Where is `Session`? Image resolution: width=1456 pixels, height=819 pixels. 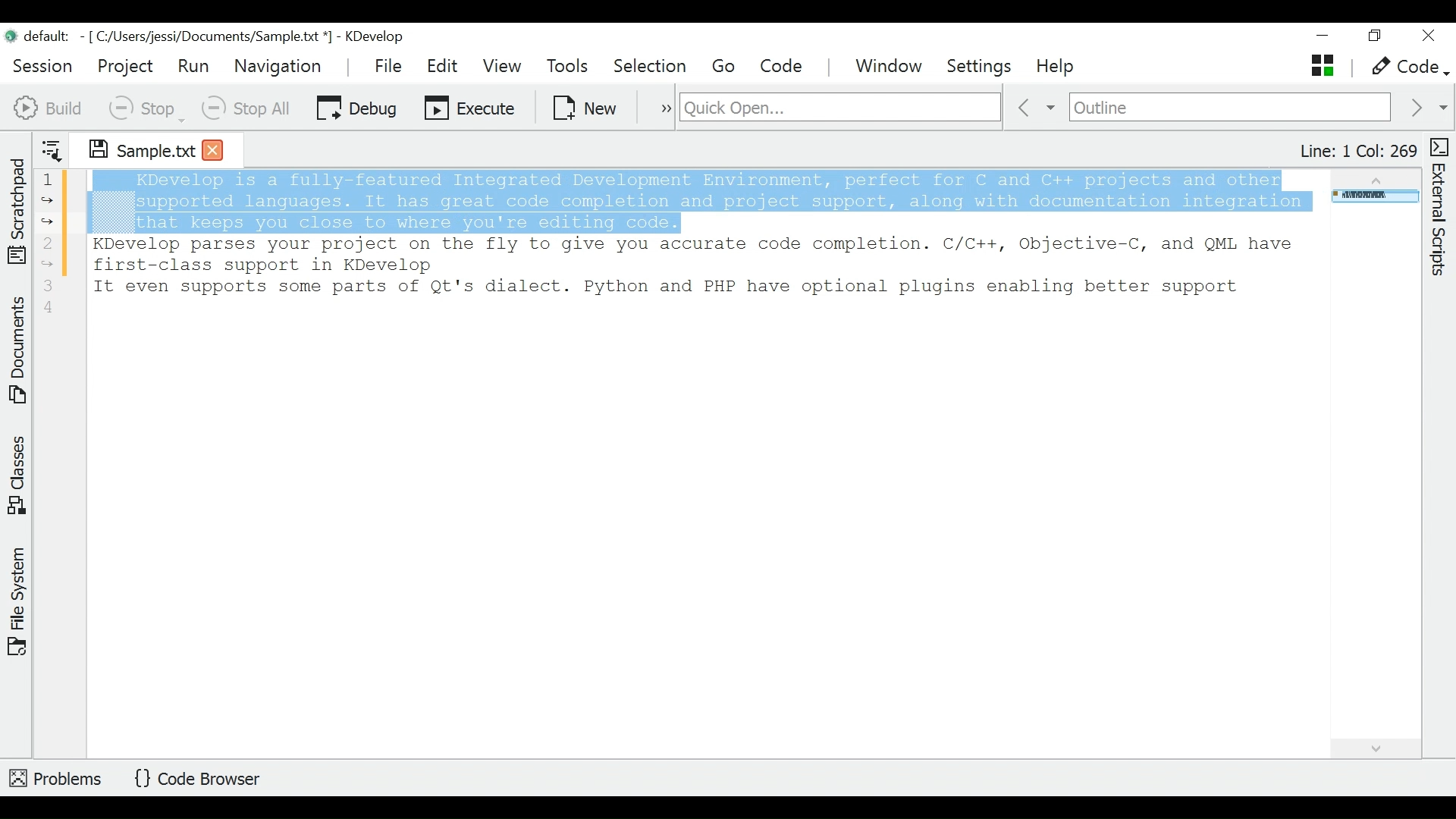 Session is located at coordinates (43, 64).